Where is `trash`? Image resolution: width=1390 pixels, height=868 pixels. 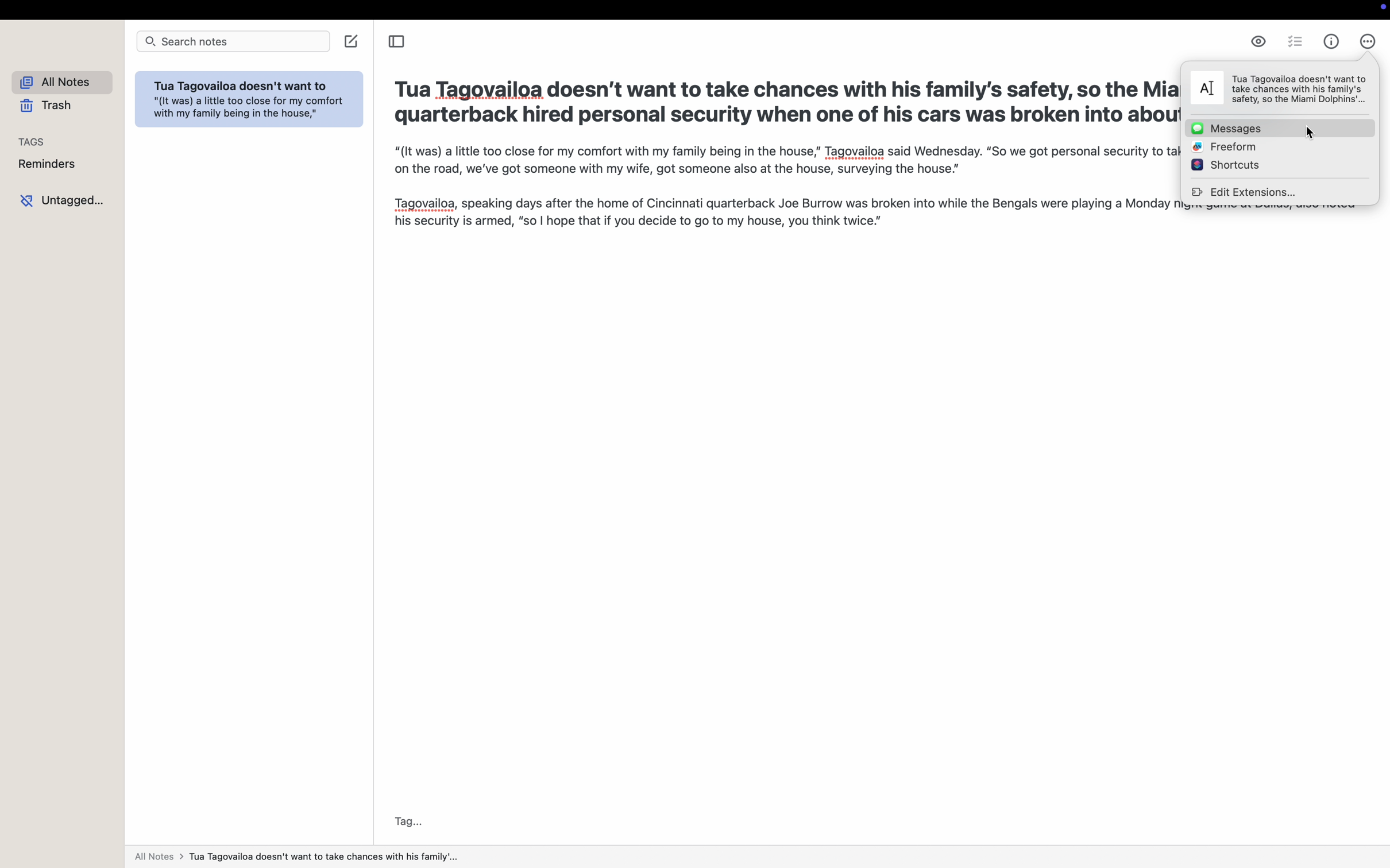 trash is located at coordinates (51, 107).